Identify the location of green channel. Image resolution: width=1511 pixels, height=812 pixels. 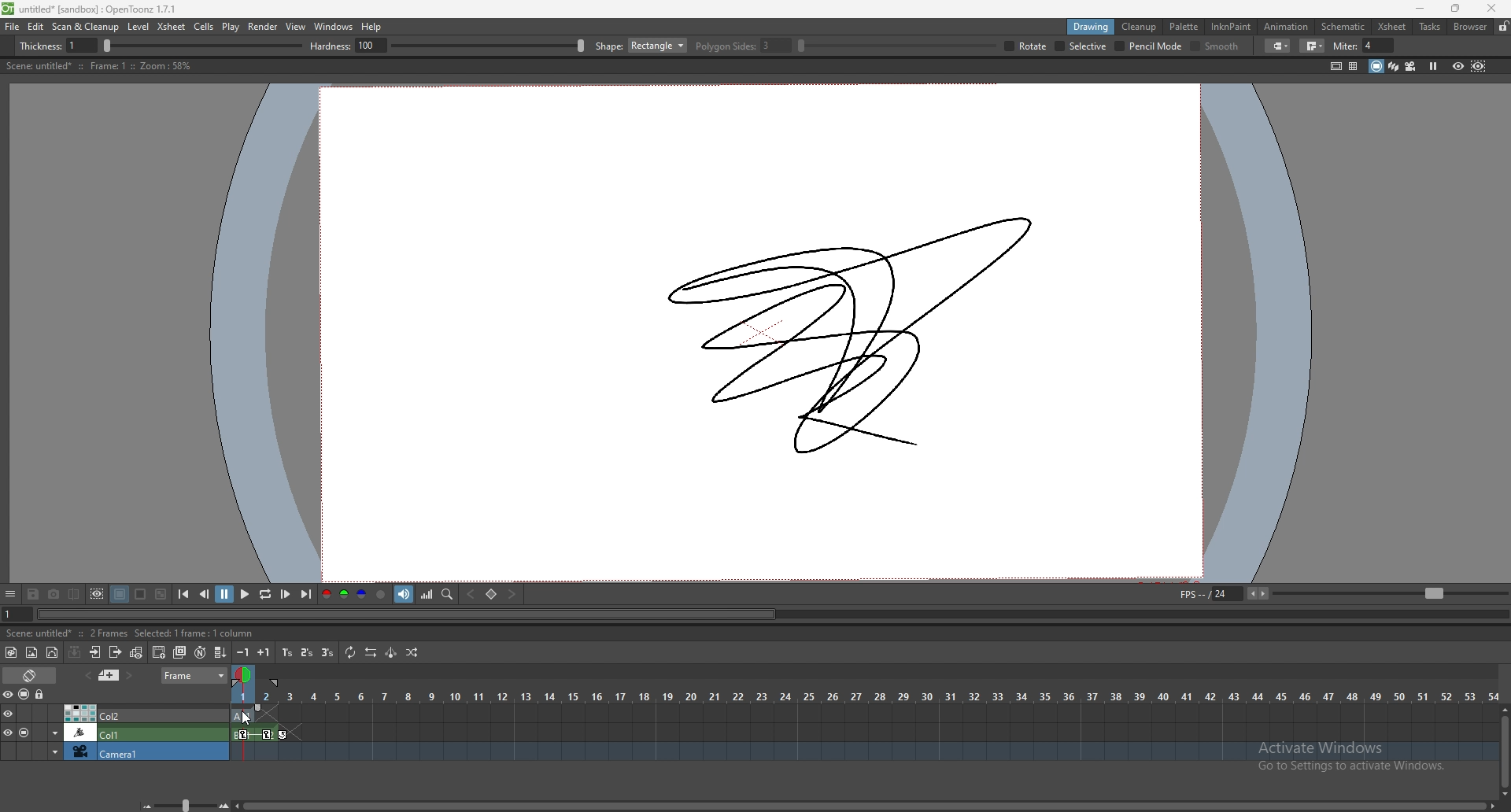
(343, 595).